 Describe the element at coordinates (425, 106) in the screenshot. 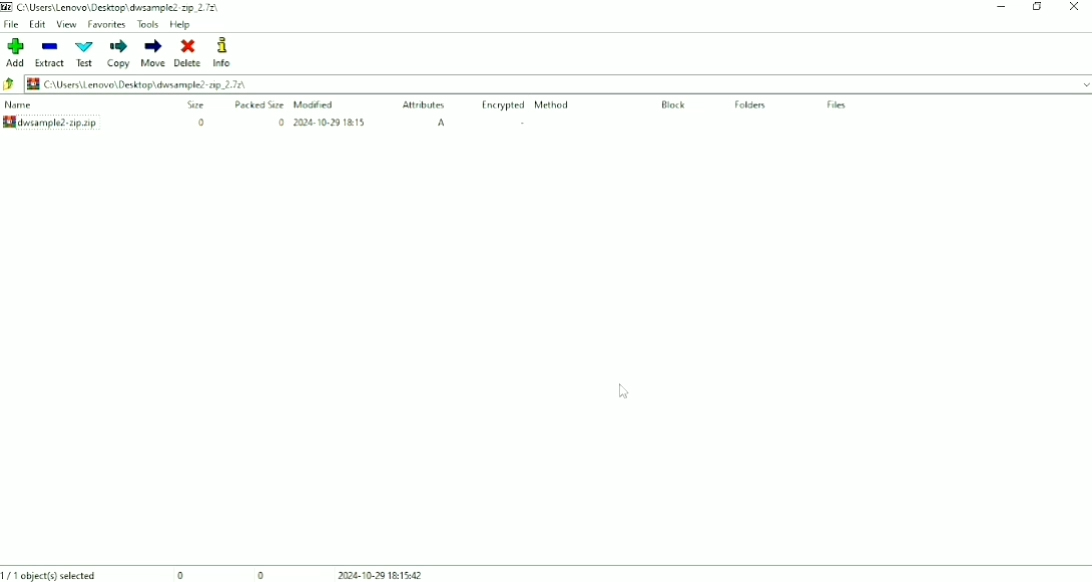

I see `Attributes` at that location.